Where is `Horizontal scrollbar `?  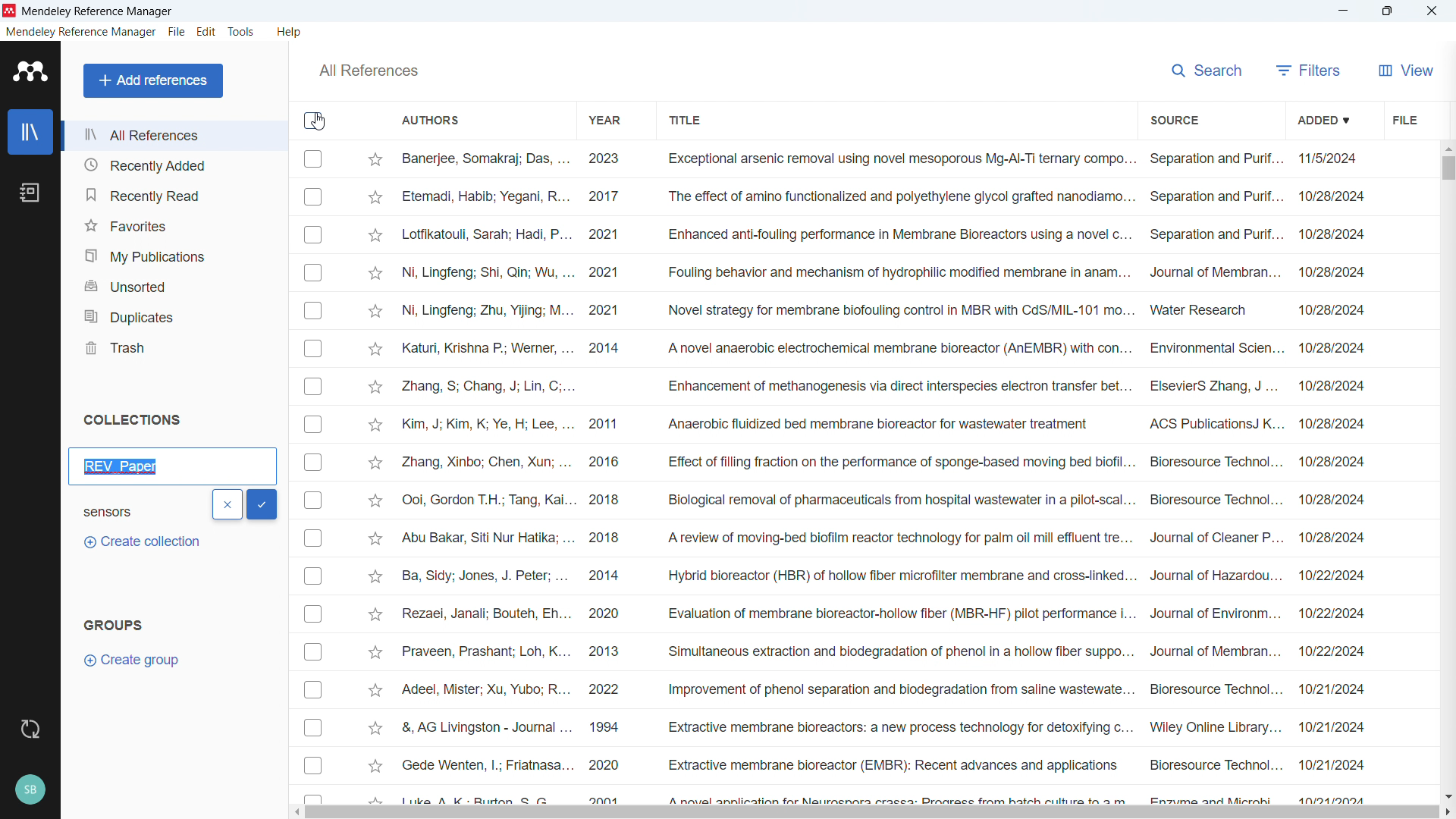
Horizontal scrollbar  is located at coordinates (873, 813).